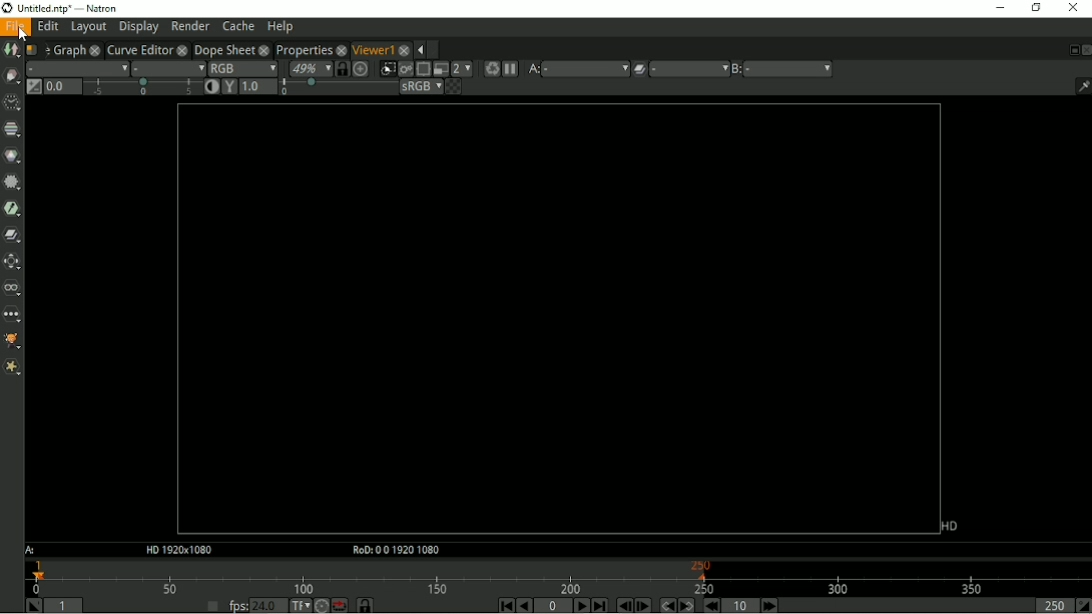 The image size is (1092, 614). I want to click on Next keyframe, so click(684, 605).